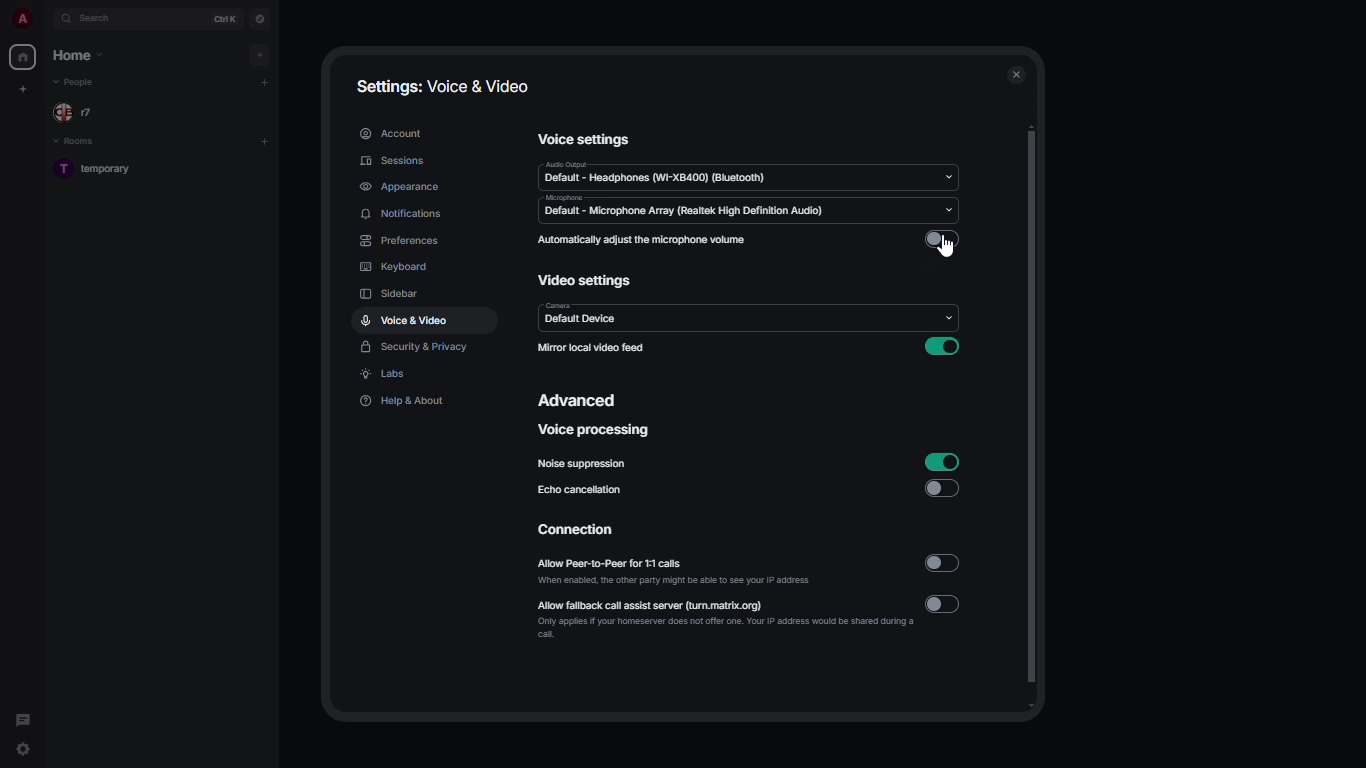  Describe the element at coordinates (404, 214) in the screenshot. I see `notifications` at that location.